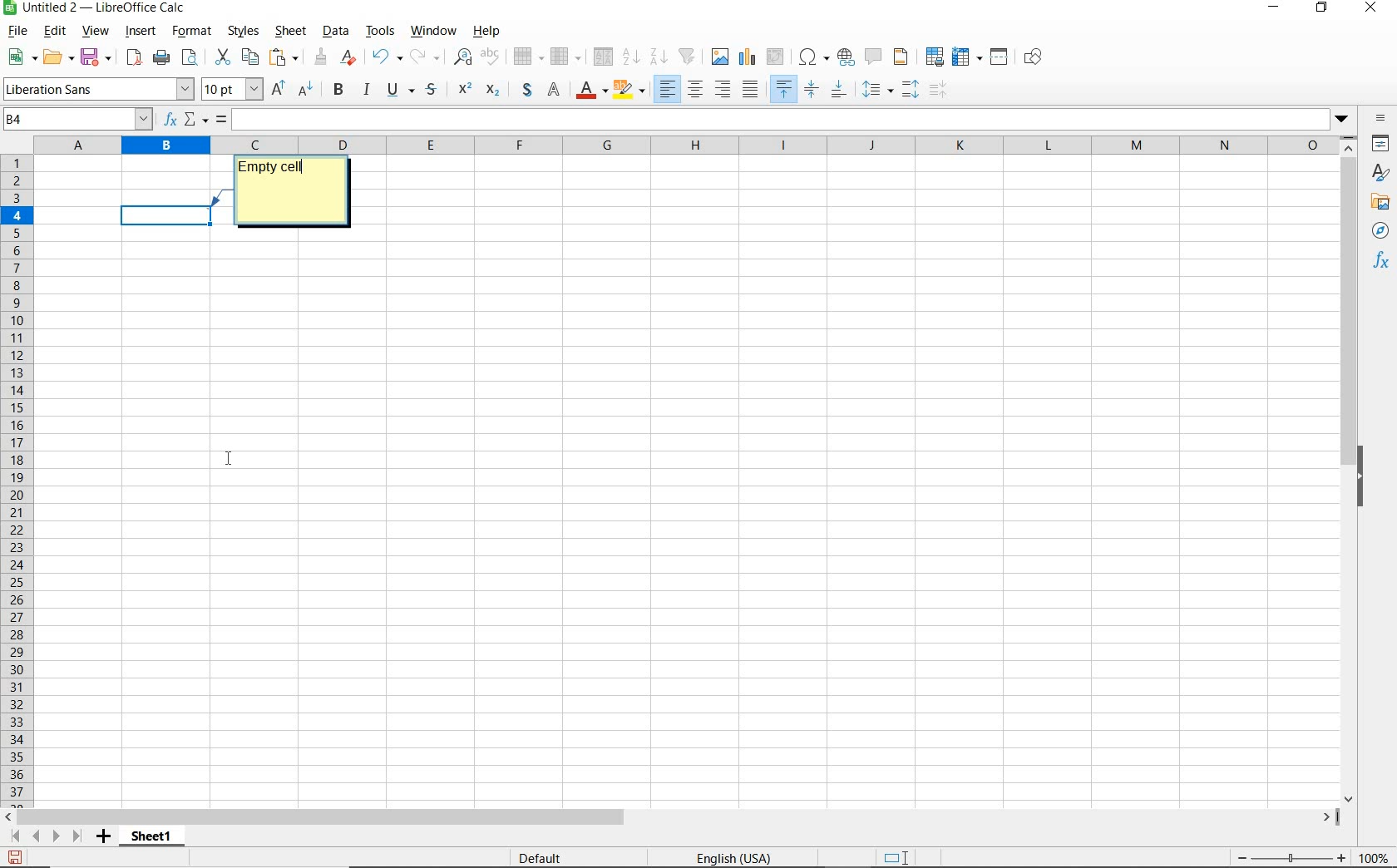 Image resolution: width=1397 pixels, height=868 pixels. Describe the element at coordinates (1381, 200) in the screenshot. I see `gallery` at that location.